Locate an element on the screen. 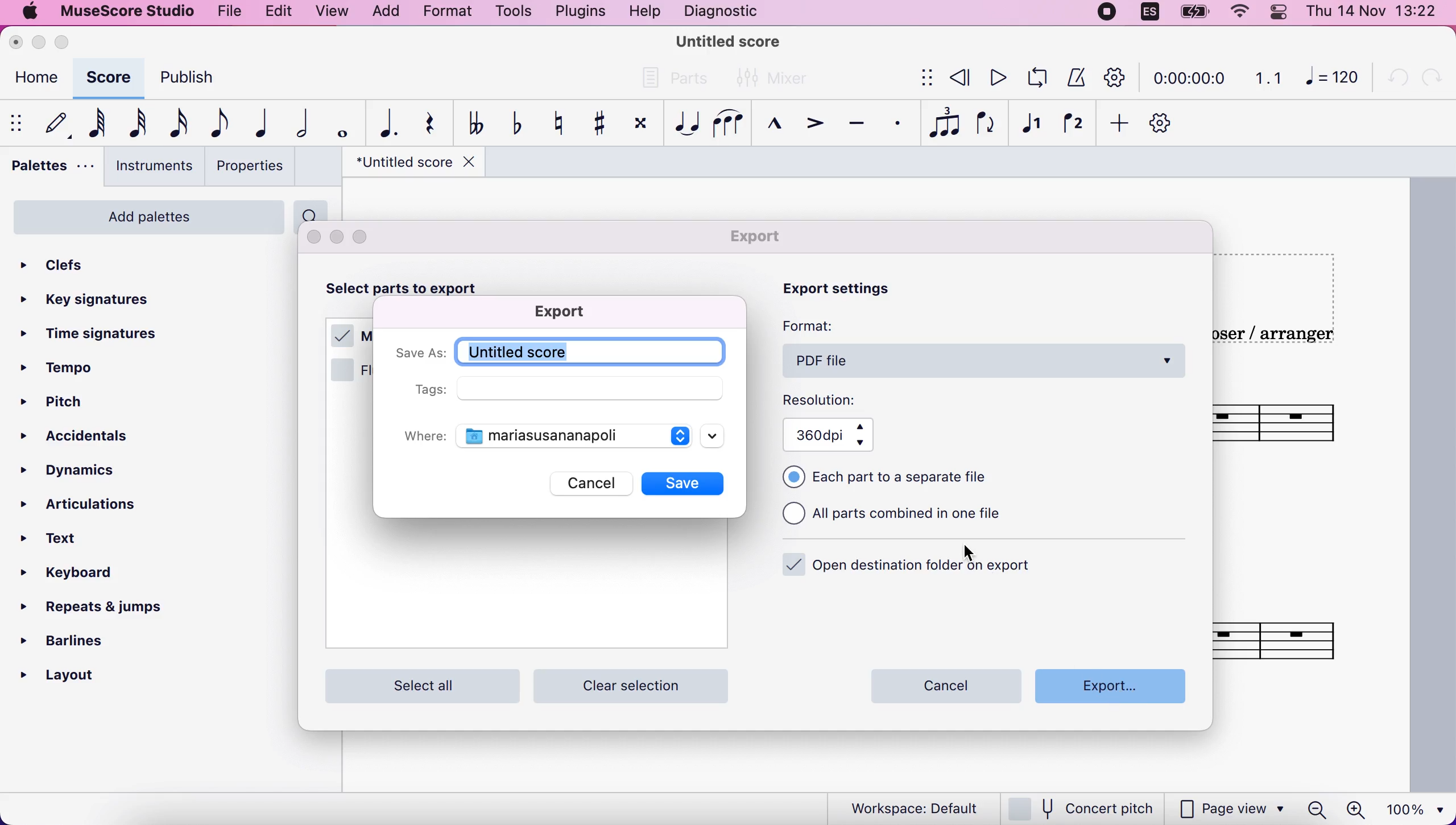  diagnostic is located at coordinates (723, 10).